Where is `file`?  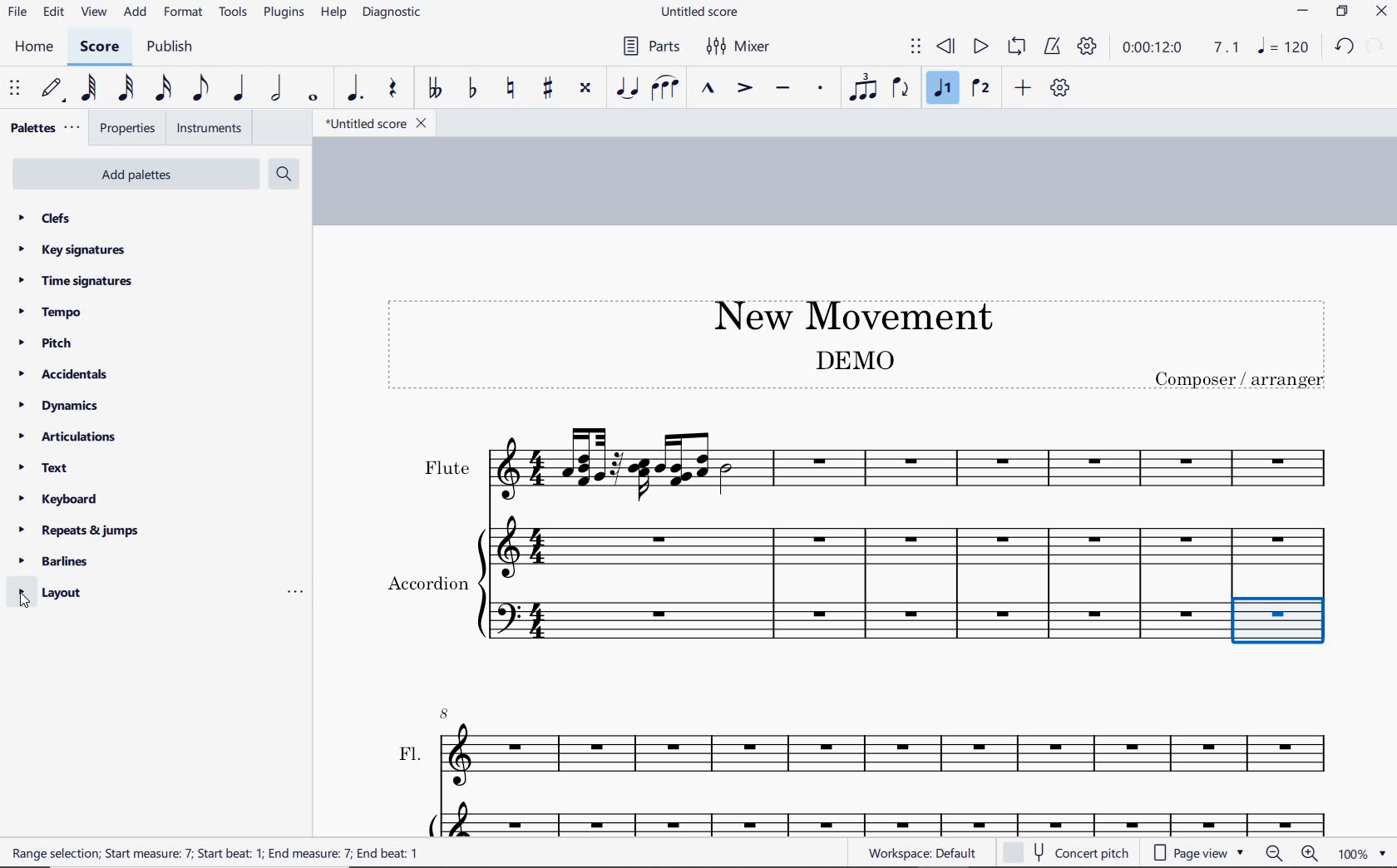 file is located at coordinates (17, 15).